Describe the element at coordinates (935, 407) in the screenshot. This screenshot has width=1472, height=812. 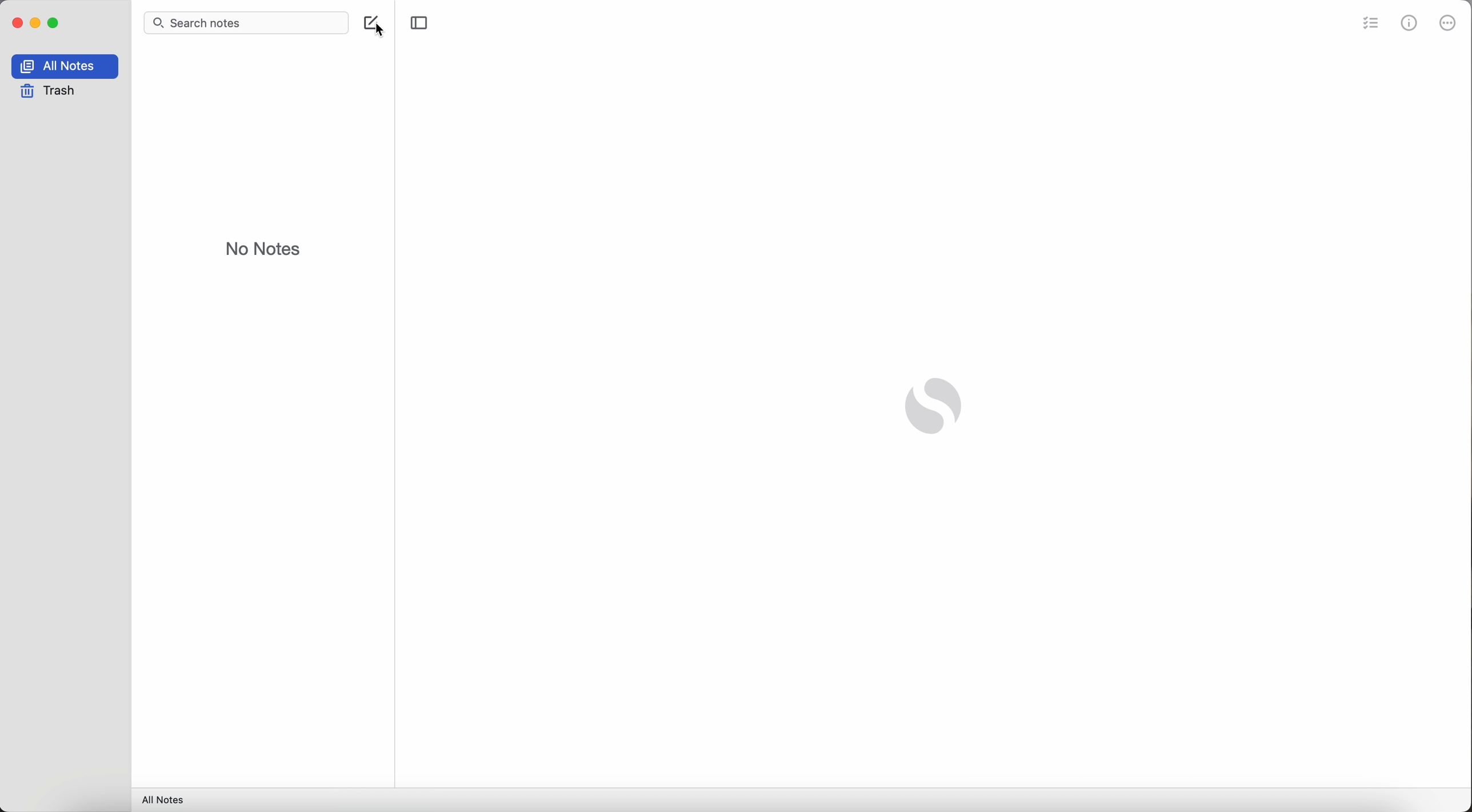
I see `Simplenote logo` at that location.